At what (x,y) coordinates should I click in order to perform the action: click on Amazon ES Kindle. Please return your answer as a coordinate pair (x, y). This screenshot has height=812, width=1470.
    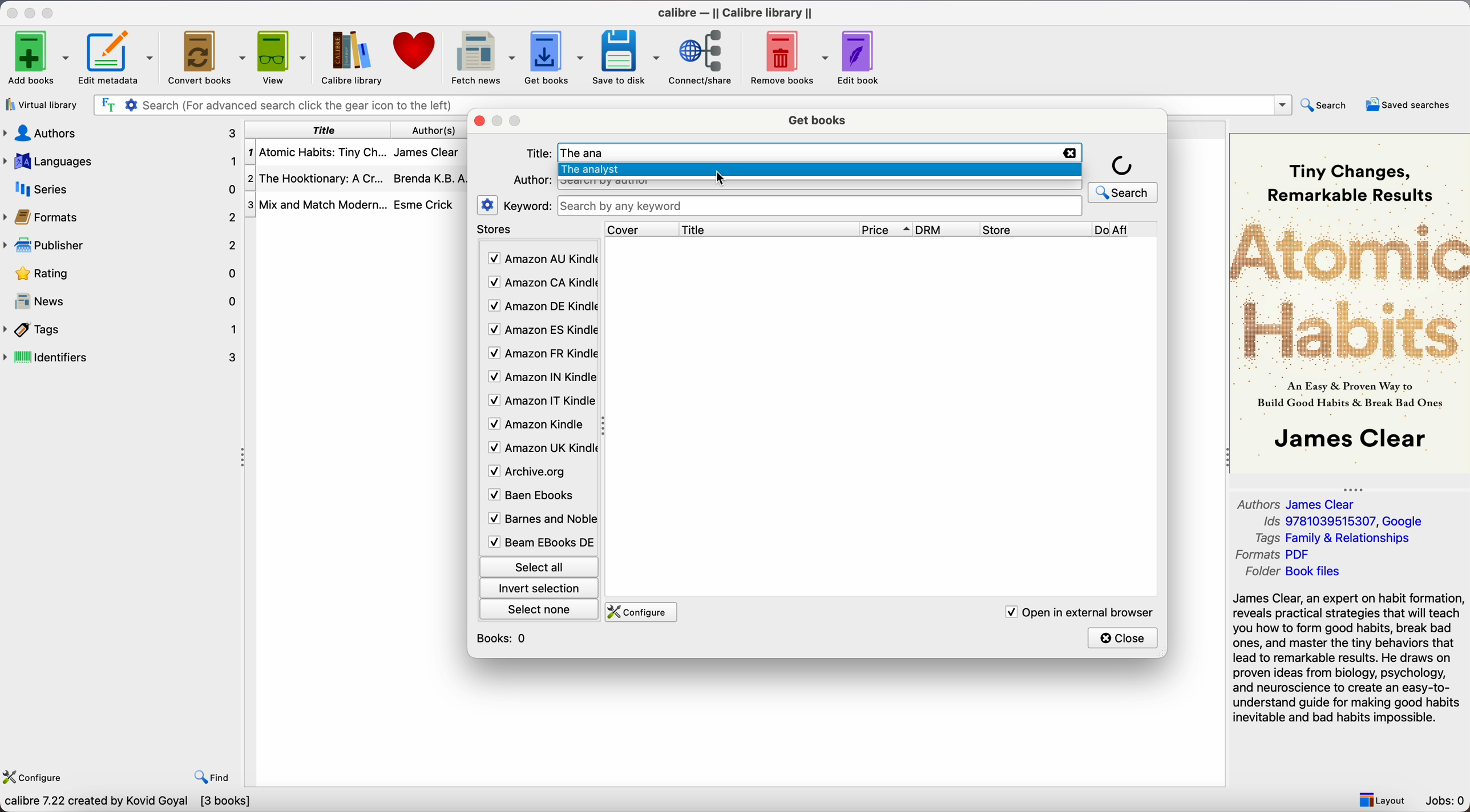
    Looking at the image, I should click on (541, 332).